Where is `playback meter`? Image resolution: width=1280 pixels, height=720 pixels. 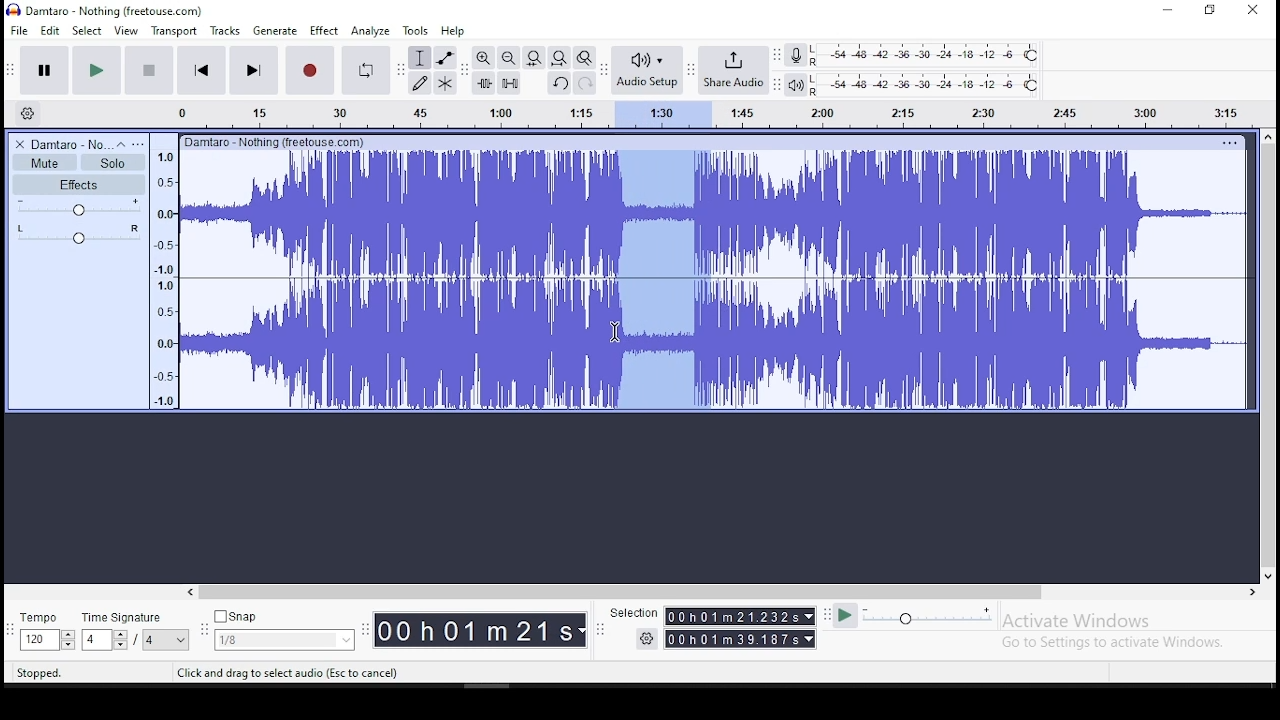 playback meter is located at coordinates (797, 85).